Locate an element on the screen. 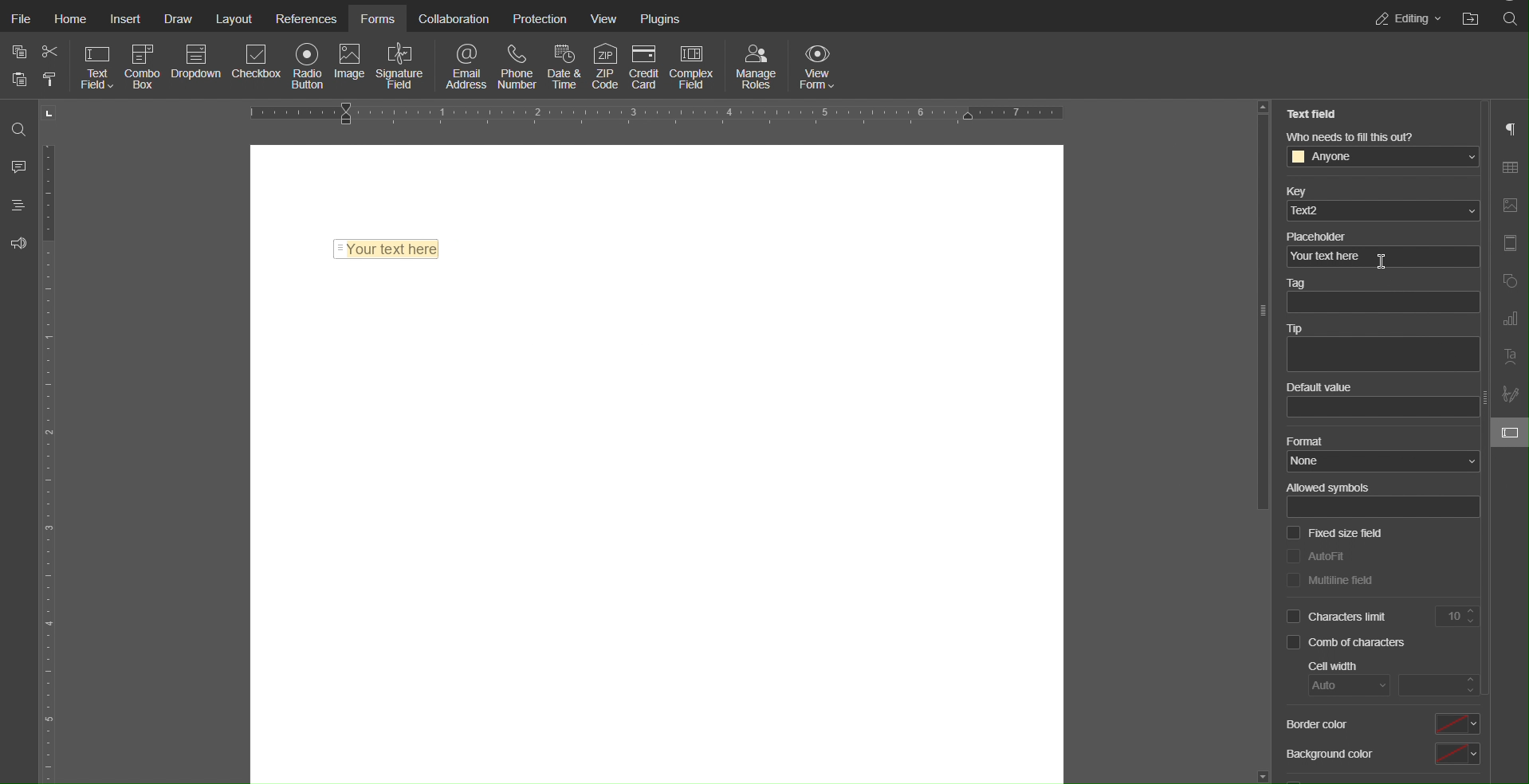 The height and width of the screenshot is (784, 1529). Collaboration is located at coordinates (454, 20).